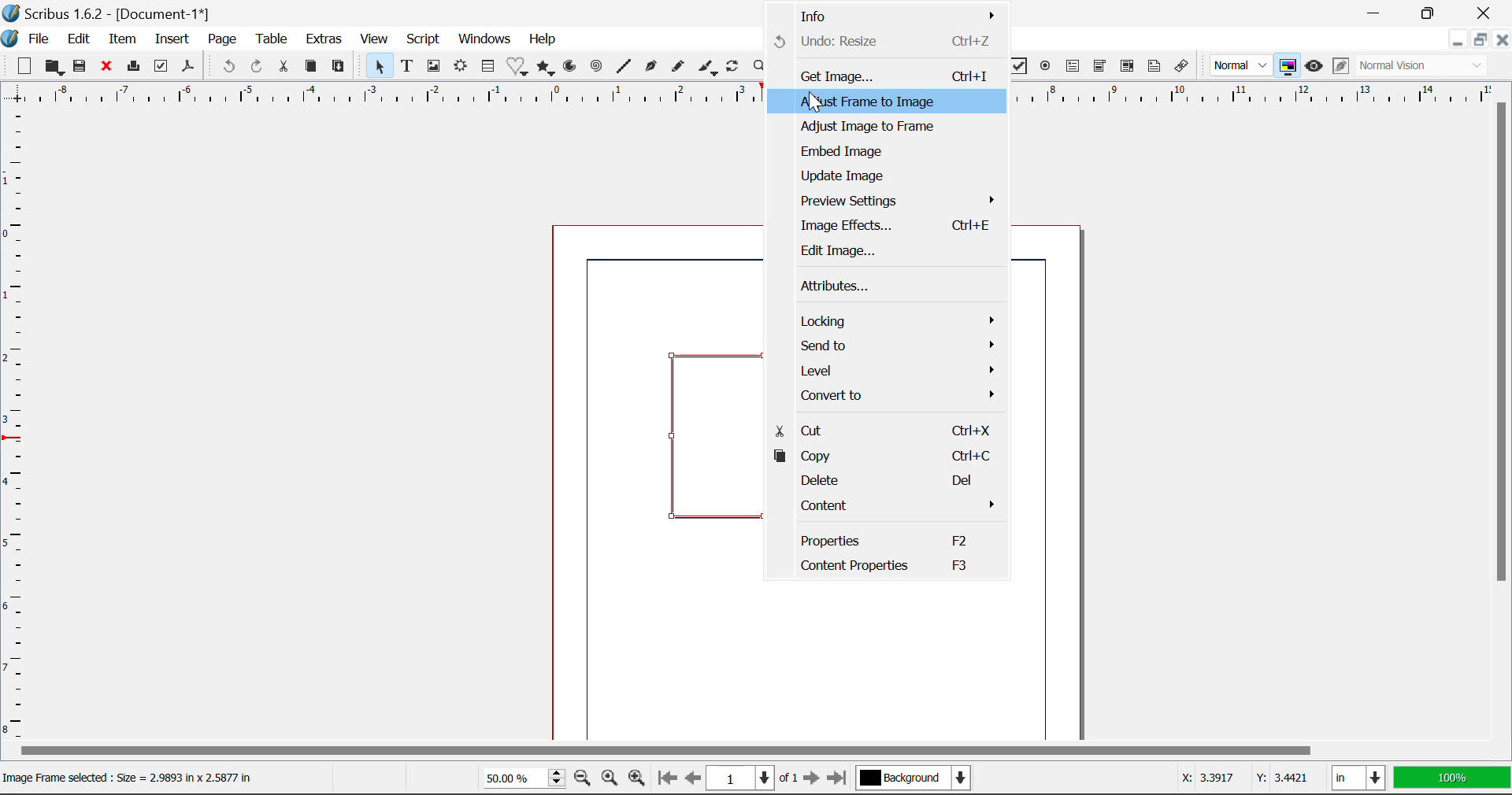  What do you see at coordinates (1457, 39) in the screenshot?
I see `Restore Down` at bounding box center [1457, 39].